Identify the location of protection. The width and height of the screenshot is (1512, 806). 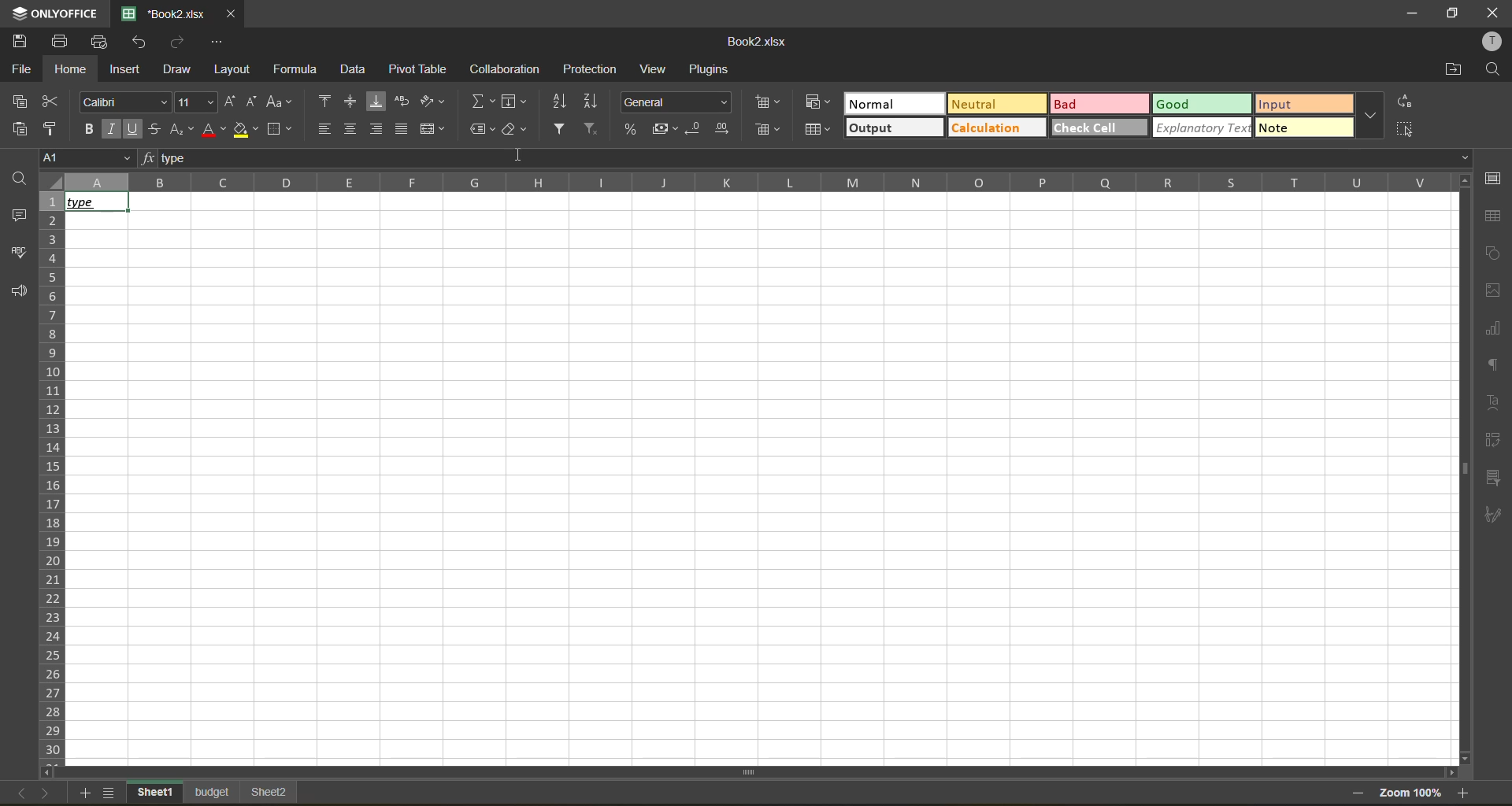
(591, 68).